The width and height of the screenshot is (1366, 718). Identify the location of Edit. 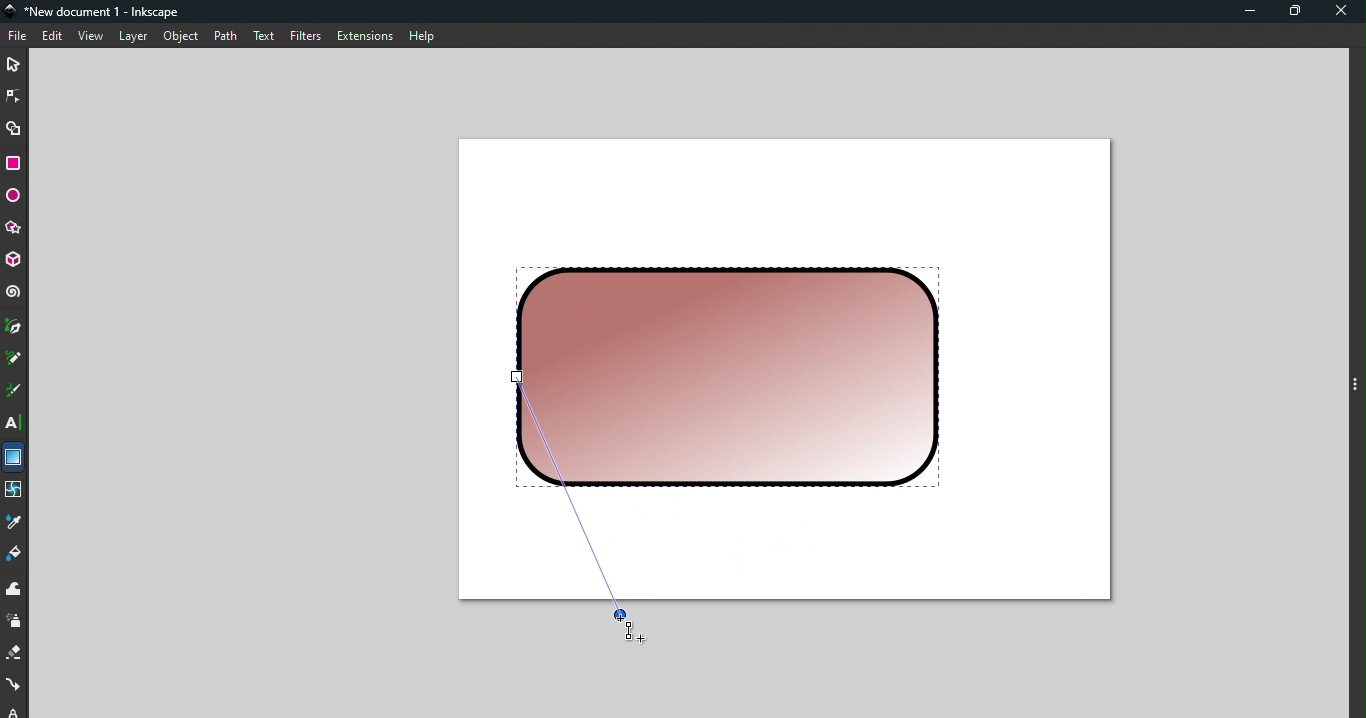
(54, 37).